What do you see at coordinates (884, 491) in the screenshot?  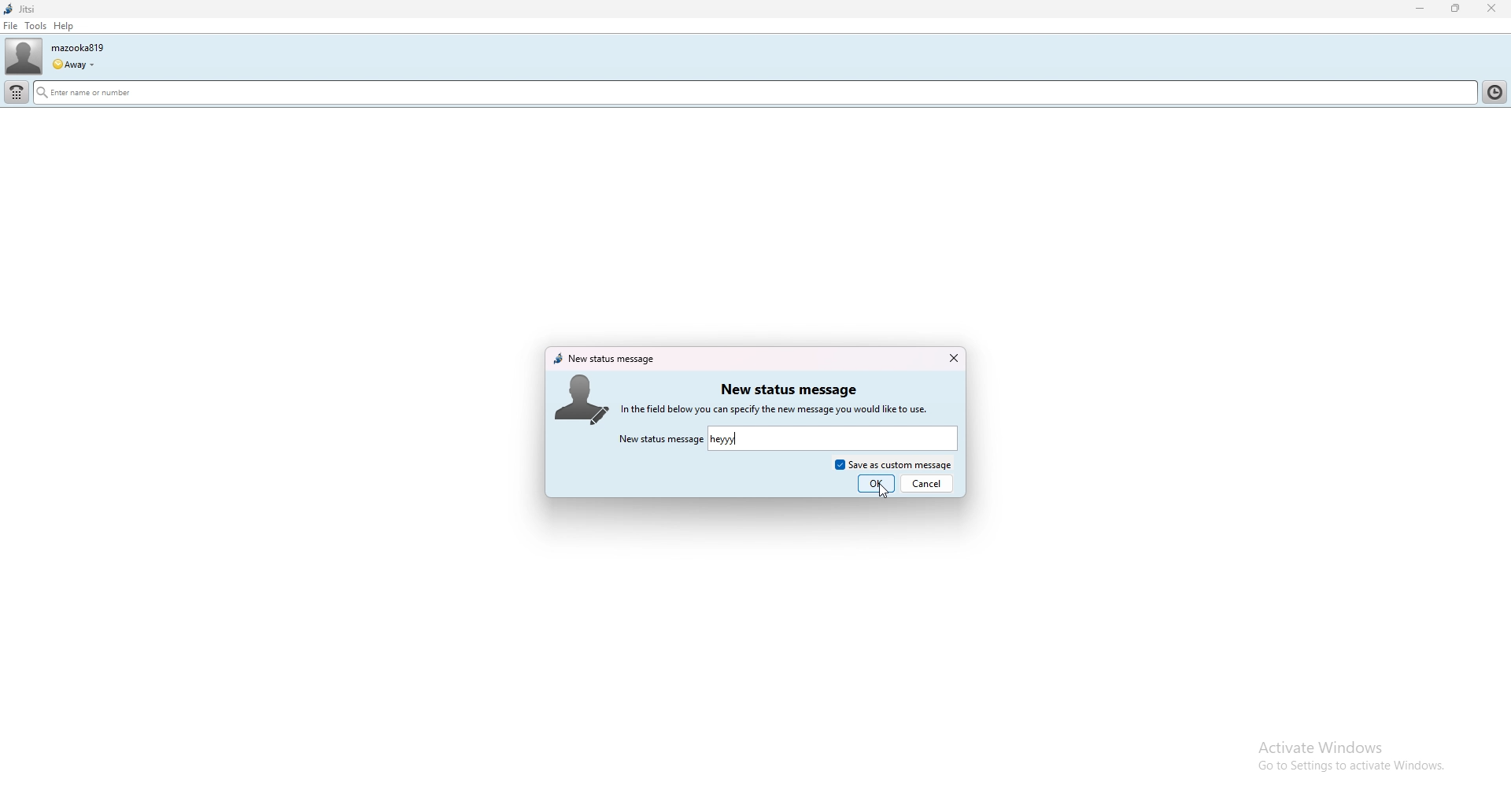 I see `cursor` at bounding box center [884, 491].